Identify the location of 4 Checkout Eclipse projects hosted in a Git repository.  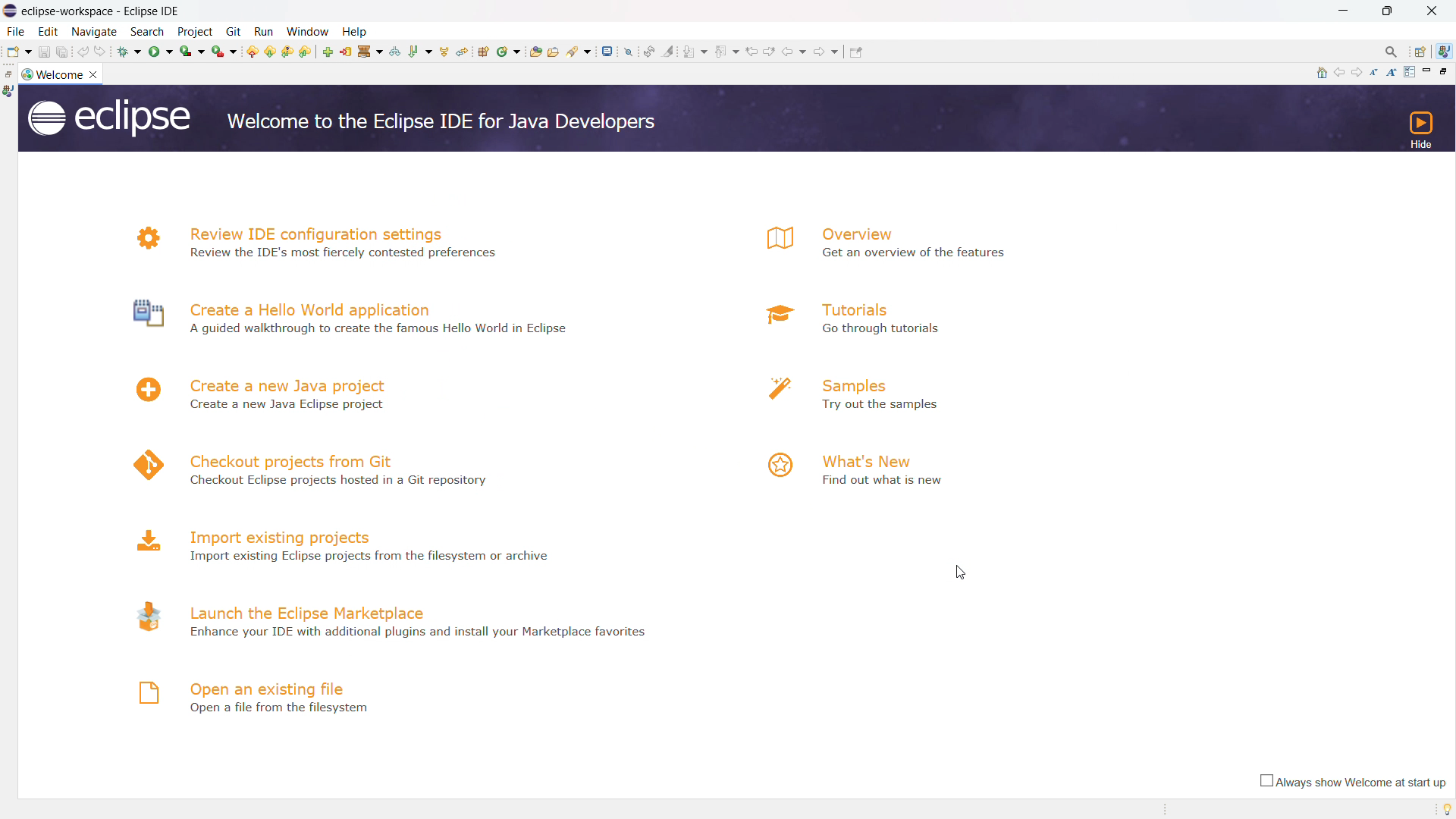
(344, 480).